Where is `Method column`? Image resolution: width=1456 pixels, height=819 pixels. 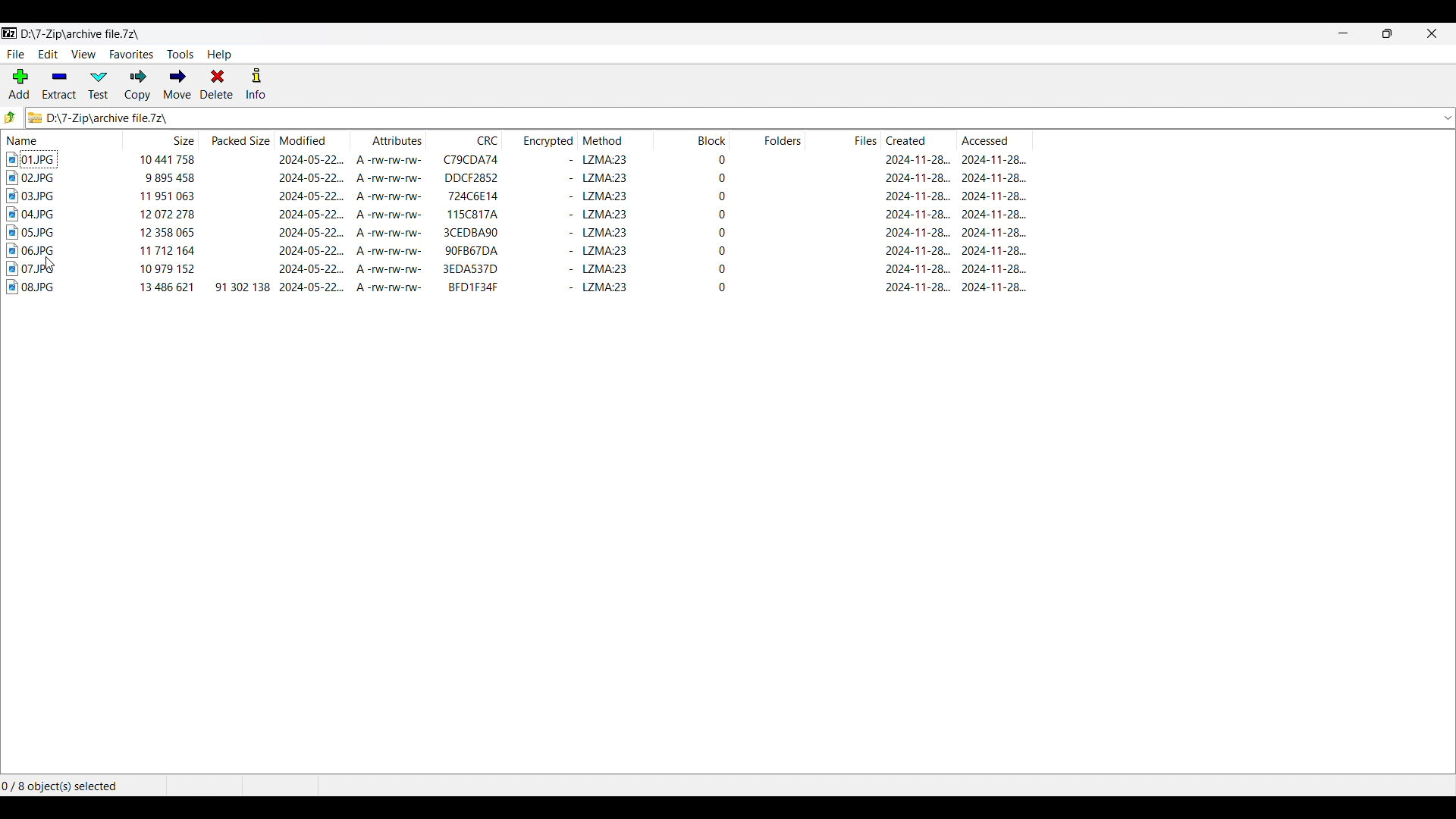 Method column is located at coordinates (617, 140).